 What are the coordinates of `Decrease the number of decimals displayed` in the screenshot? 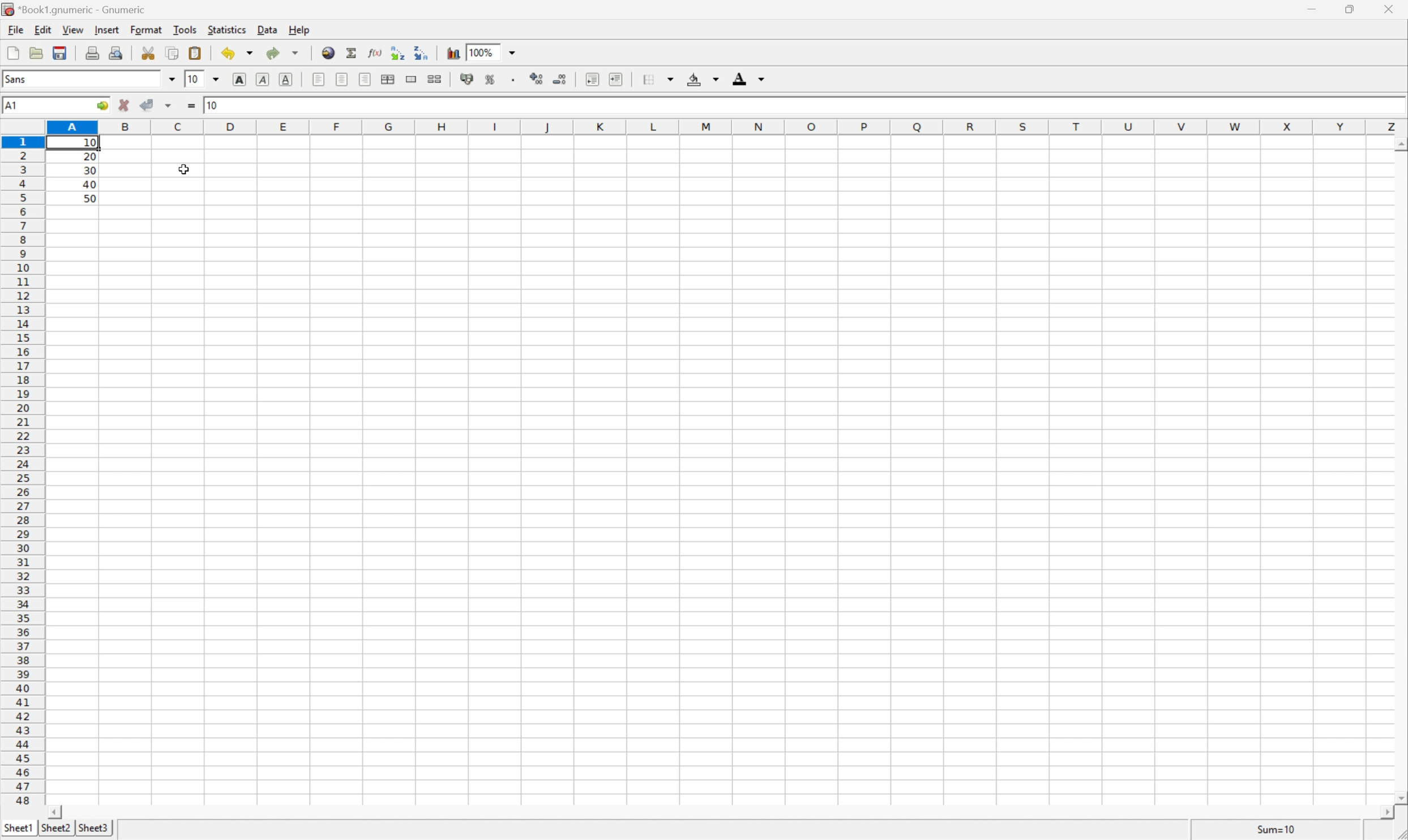 It's located at (559, 76).